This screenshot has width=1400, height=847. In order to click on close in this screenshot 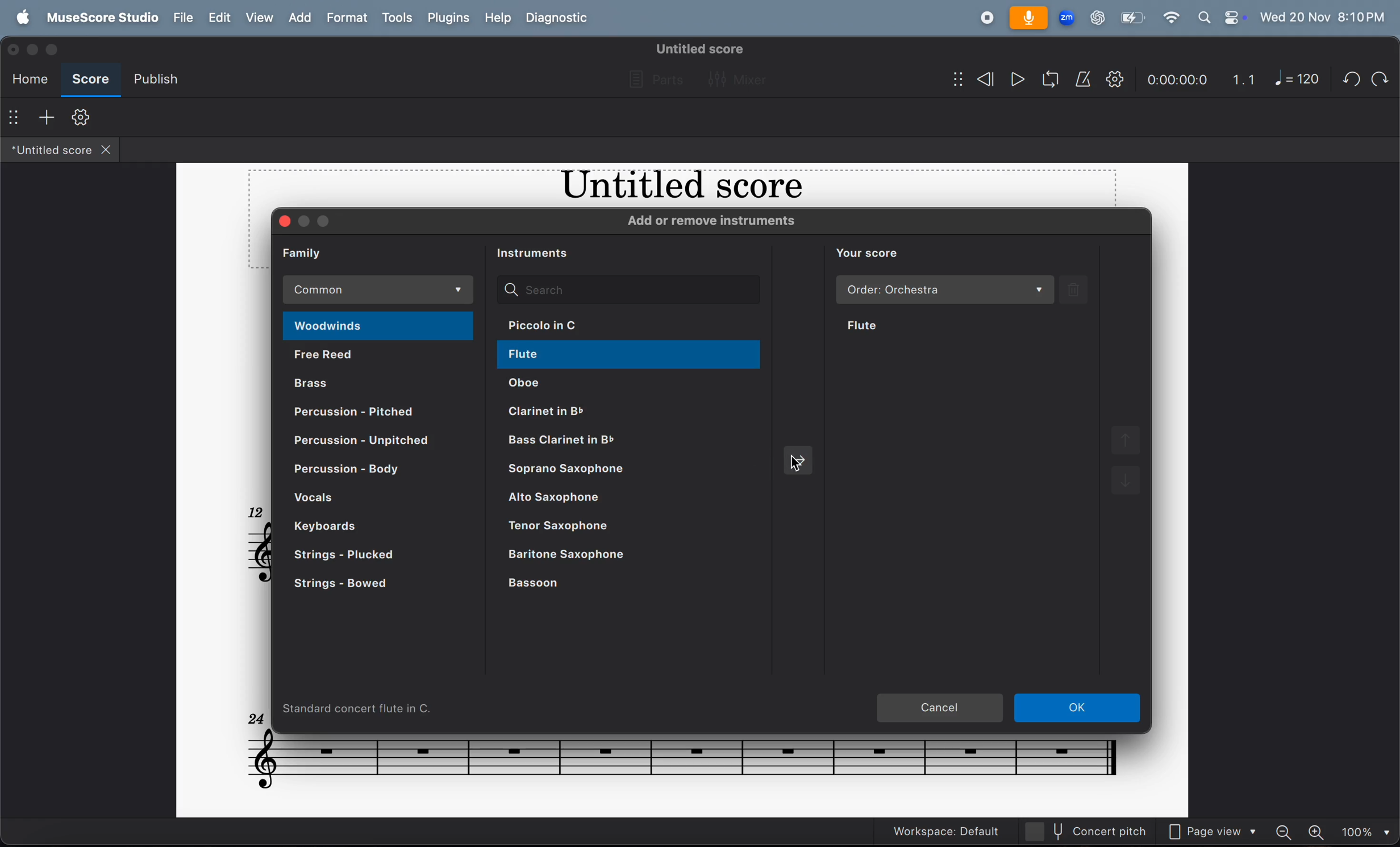, I will do `click(112, 150)`.